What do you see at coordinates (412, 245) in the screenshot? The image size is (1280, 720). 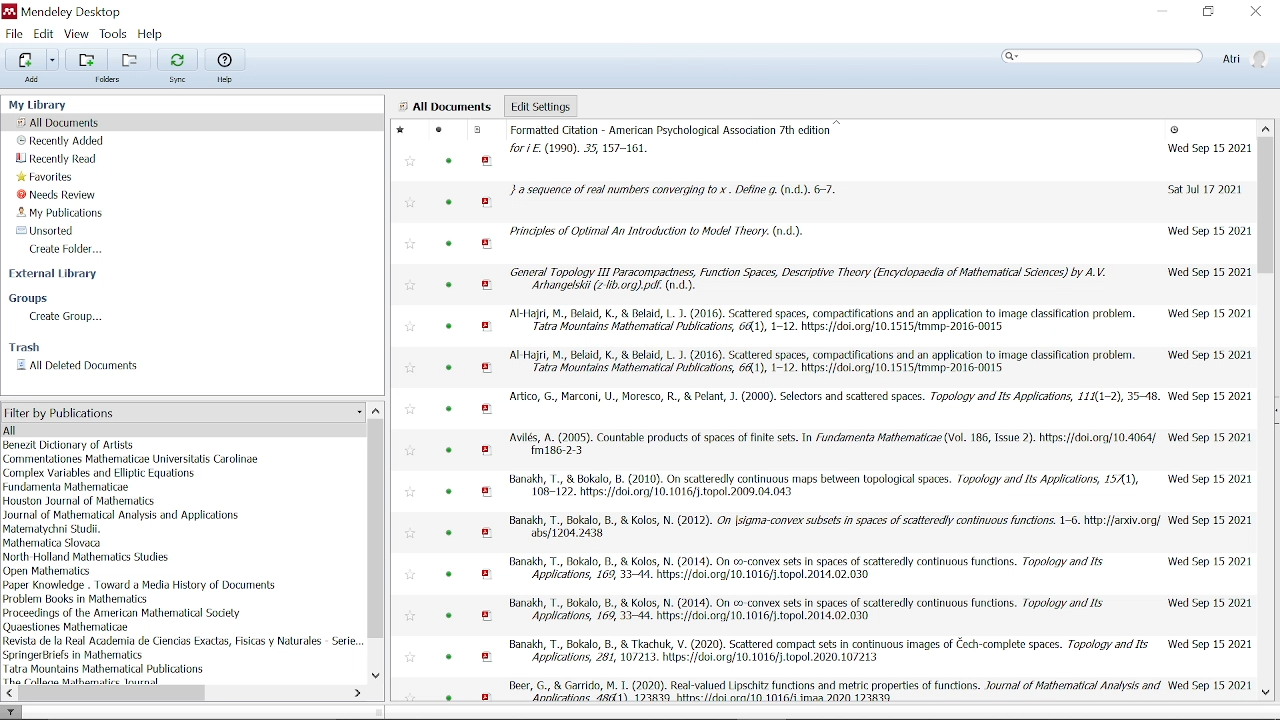 I see `favourite` at bounding box center [412, 245].